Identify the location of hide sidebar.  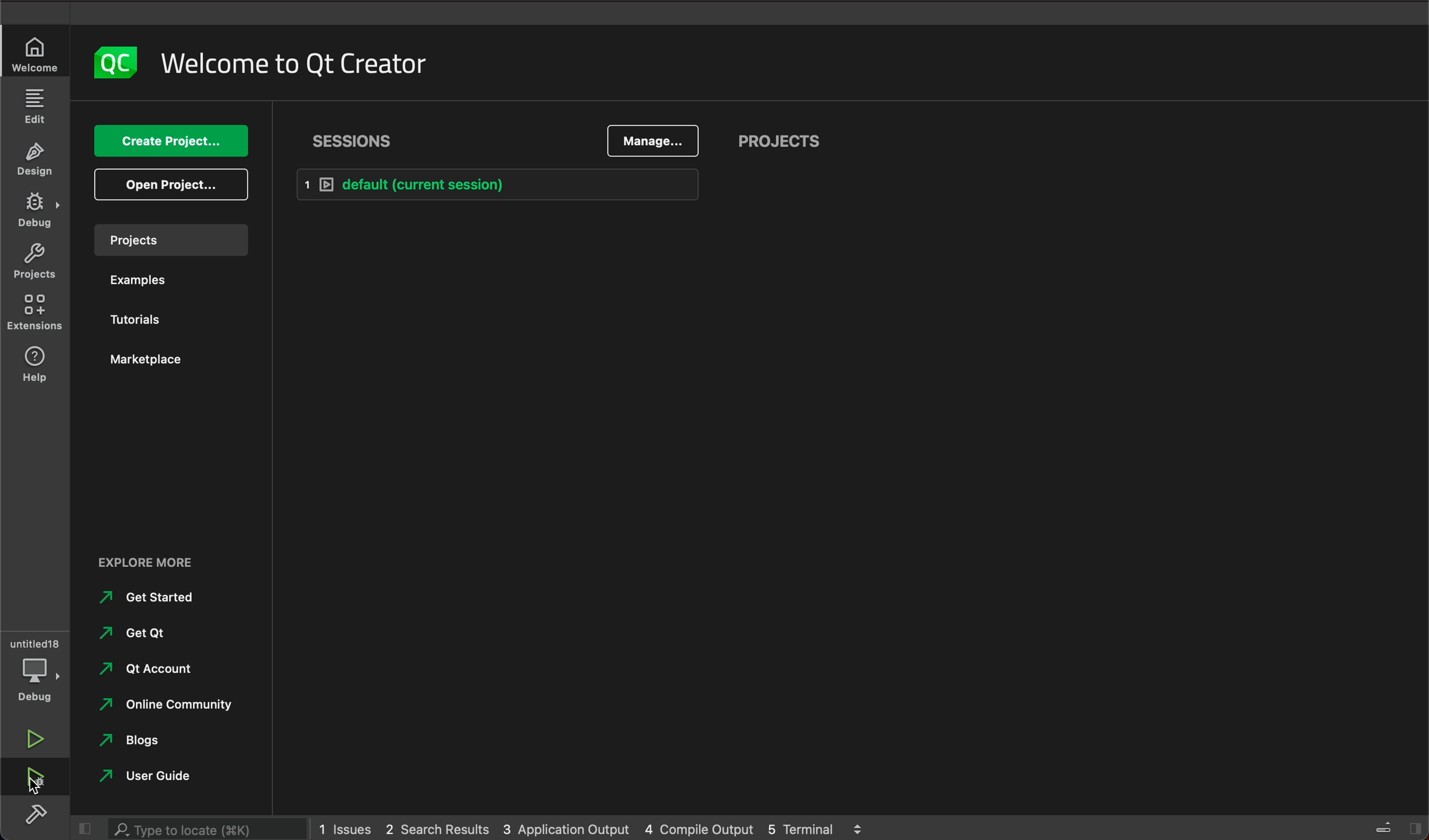
(83, 828).